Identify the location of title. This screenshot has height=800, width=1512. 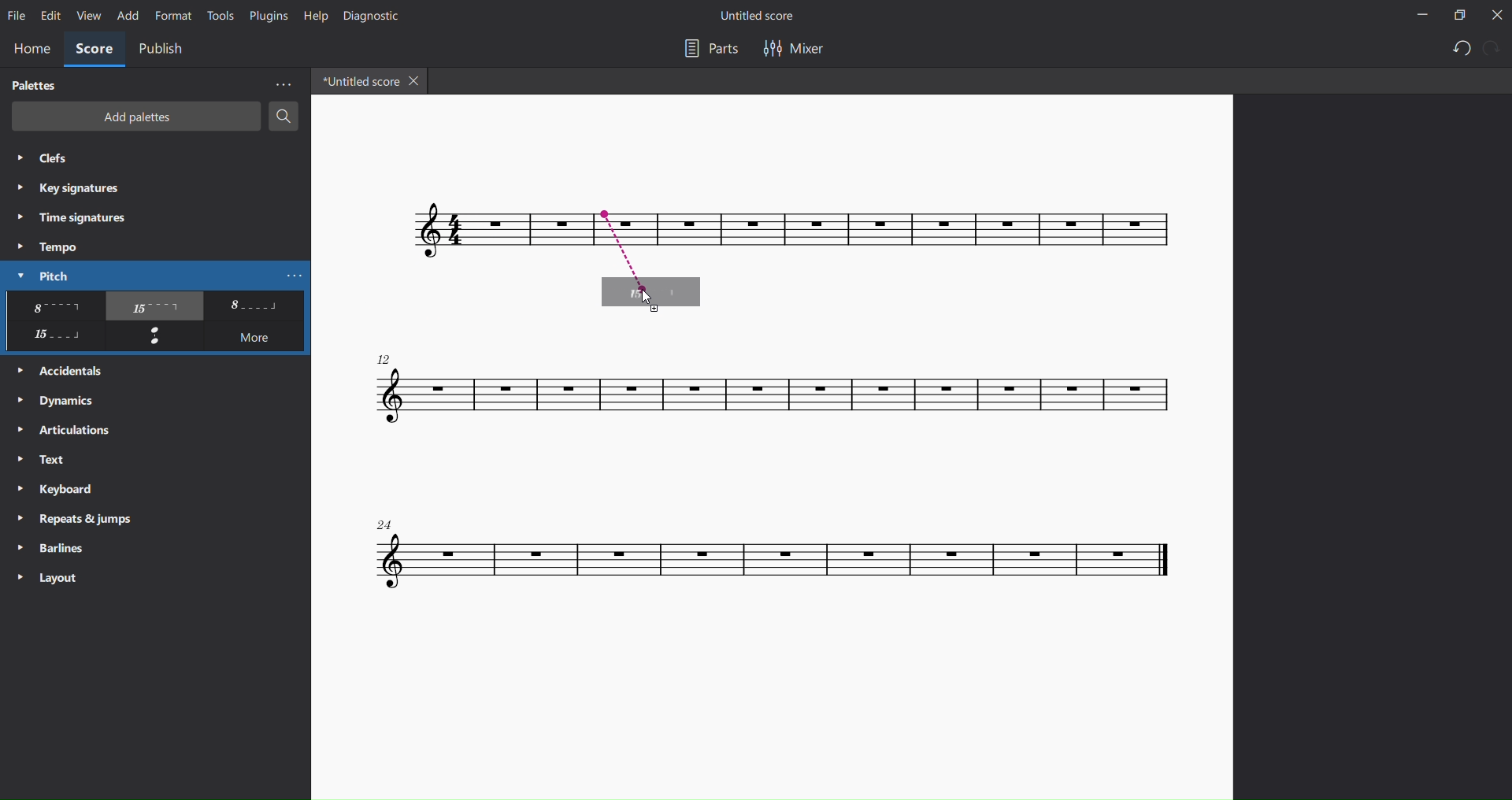
(762, 17).